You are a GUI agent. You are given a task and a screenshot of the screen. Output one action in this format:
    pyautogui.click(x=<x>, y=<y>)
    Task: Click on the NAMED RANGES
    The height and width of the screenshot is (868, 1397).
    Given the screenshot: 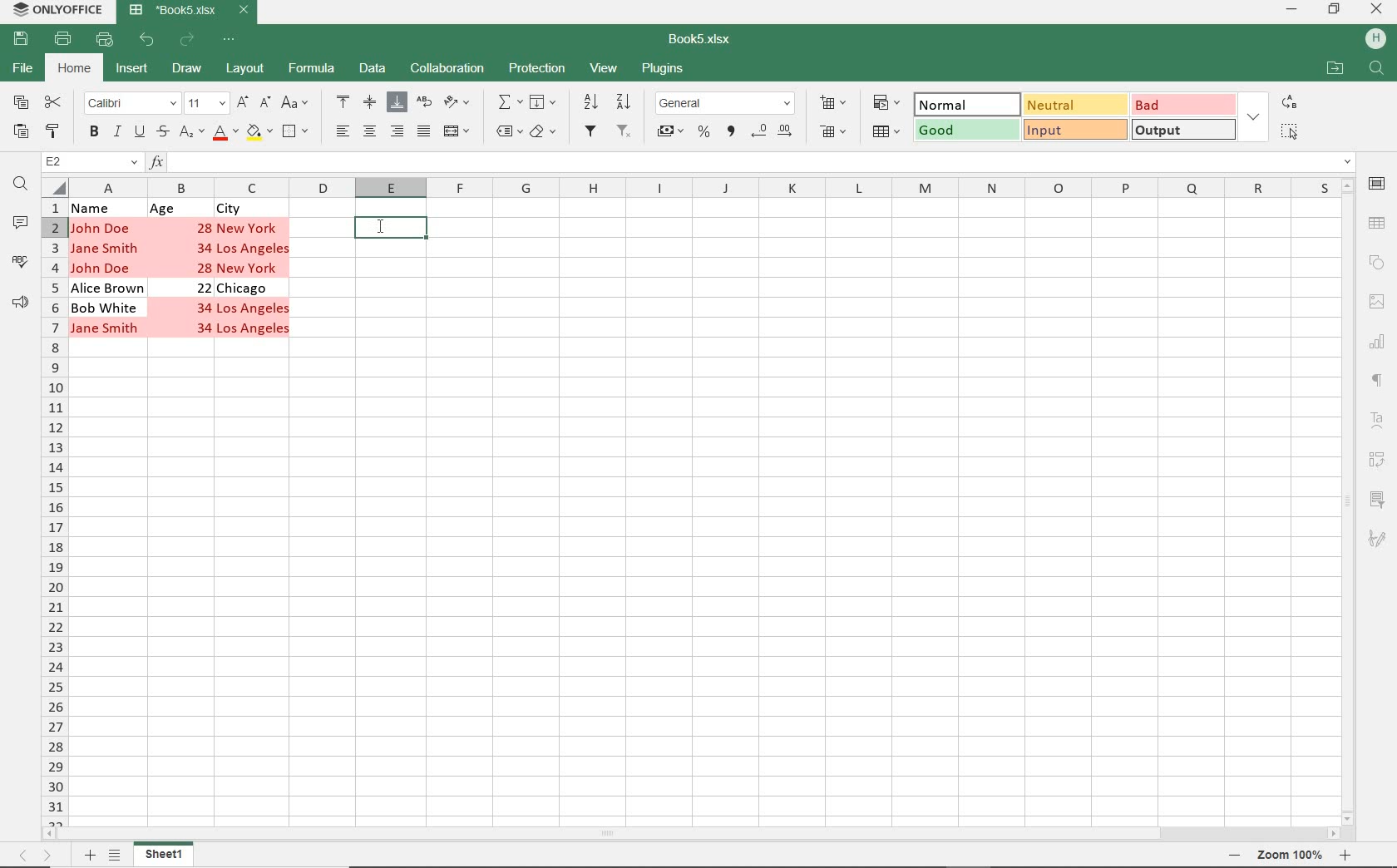 What is the action you would take?
    pyautogui.click(x=507, y=133)
    